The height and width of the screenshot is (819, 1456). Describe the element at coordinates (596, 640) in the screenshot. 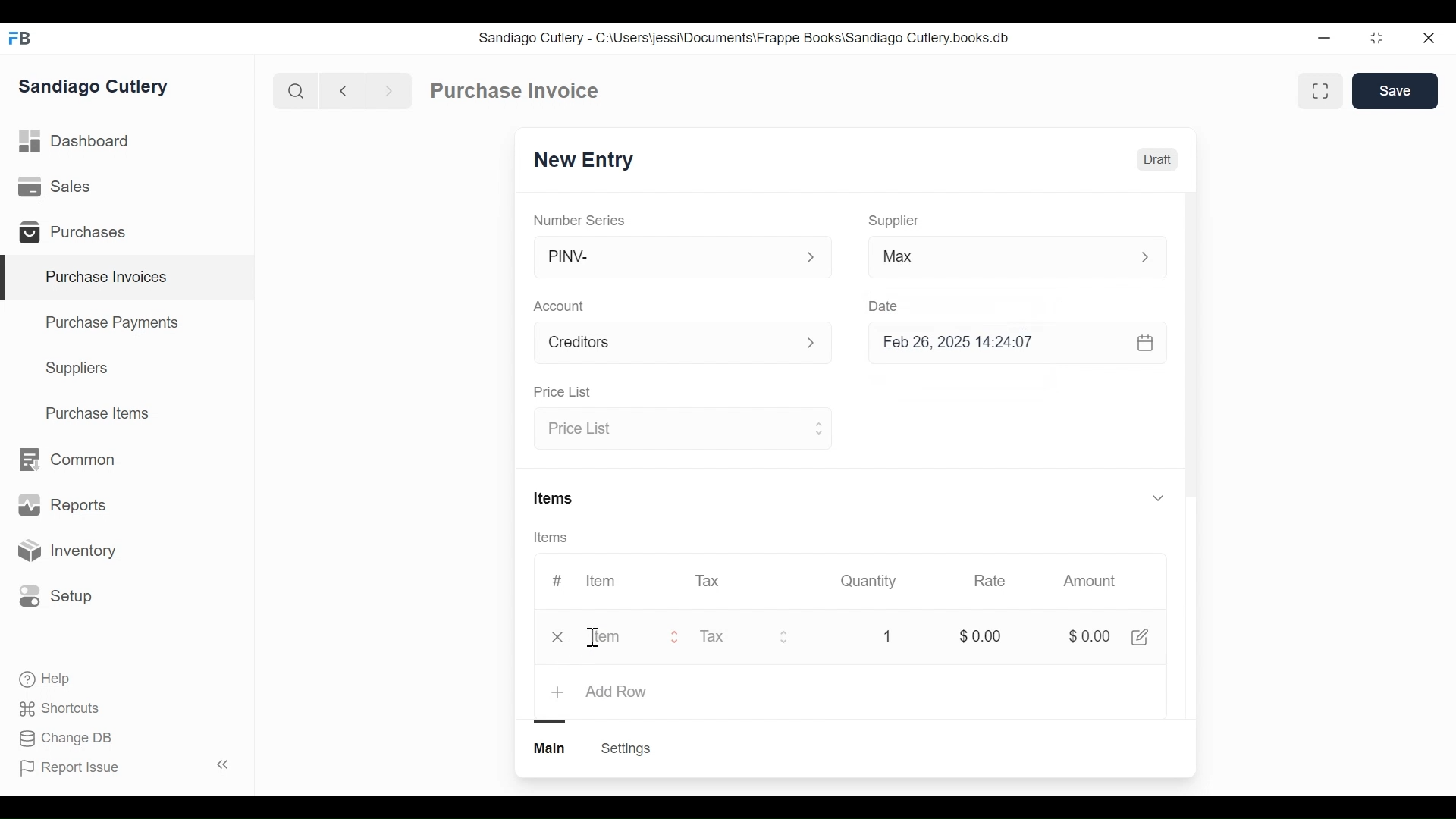

I see `Cursor` at that location.